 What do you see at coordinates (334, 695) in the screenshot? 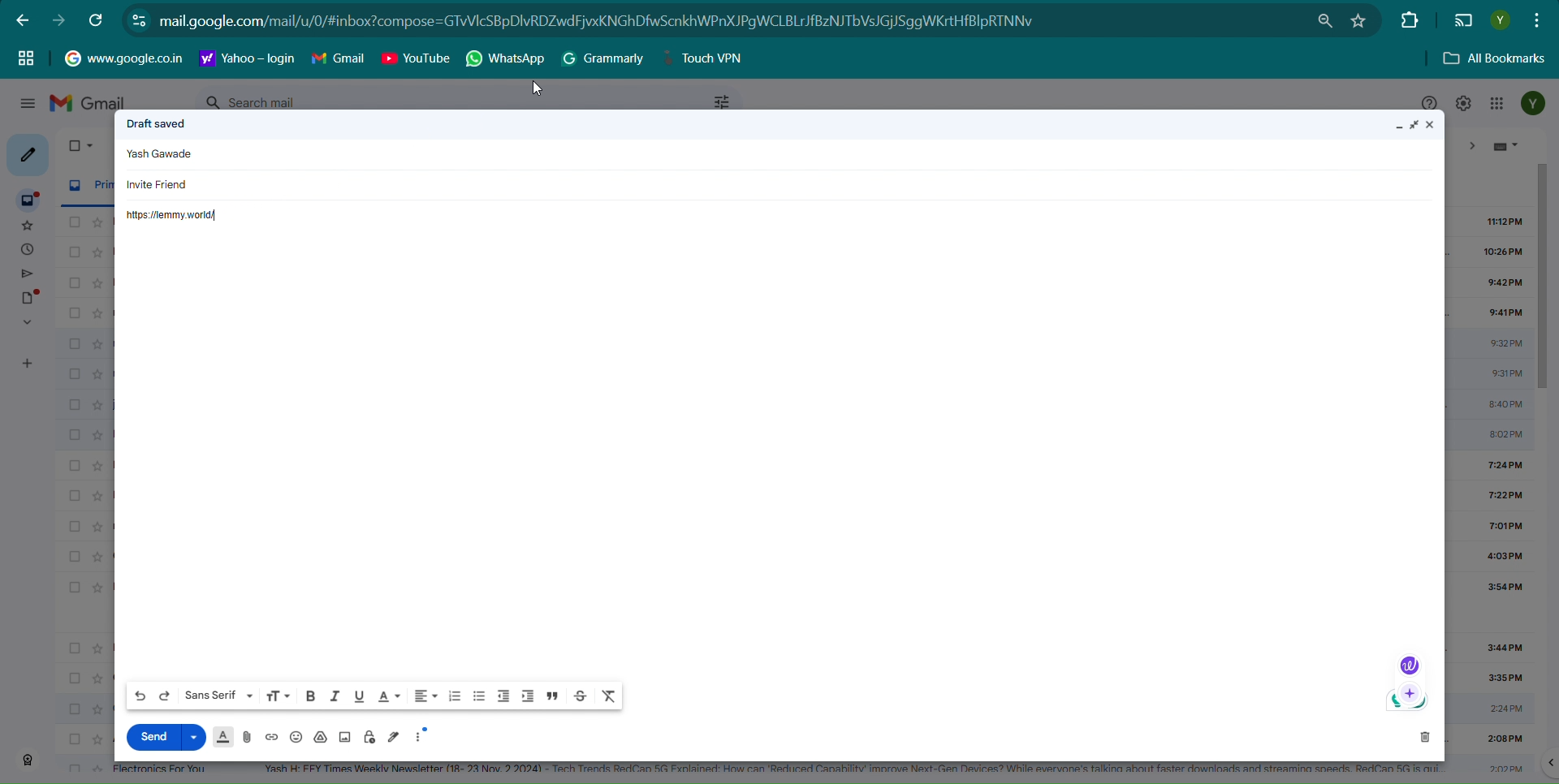
I see `Italic` at bounding box center [334, 695].